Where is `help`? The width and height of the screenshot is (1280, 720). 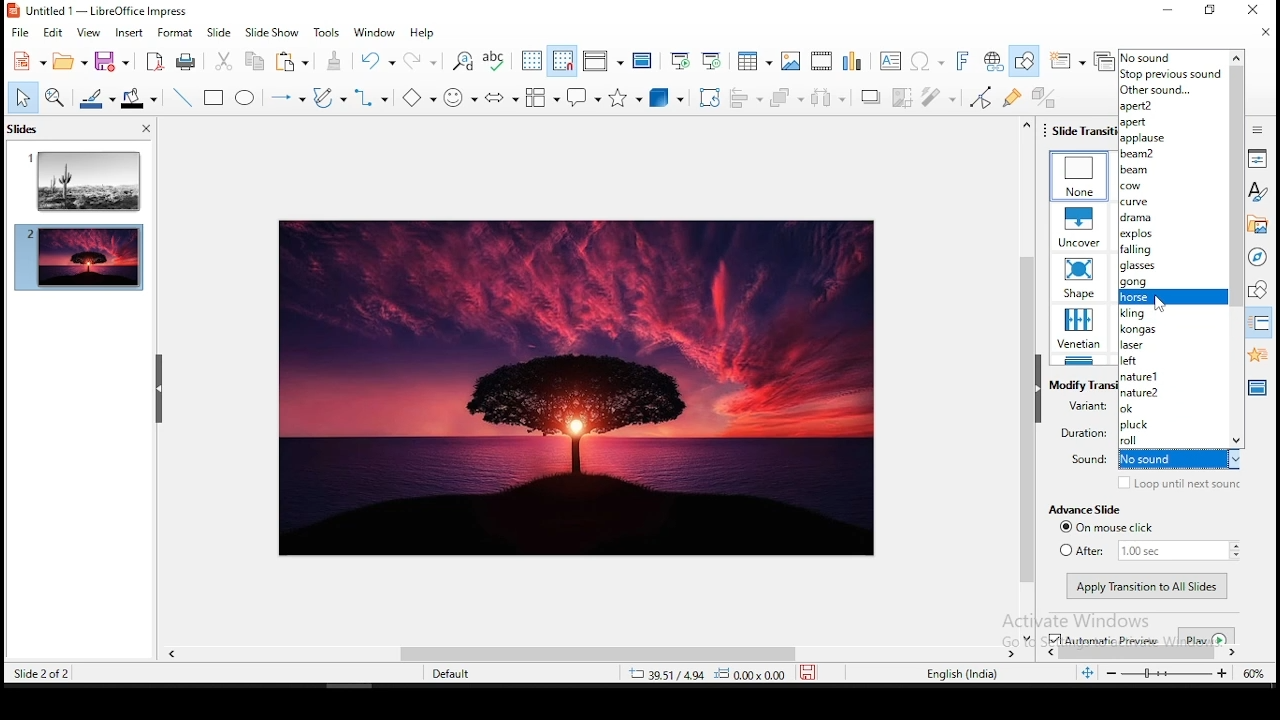
help is located at coordinates (423, 34).